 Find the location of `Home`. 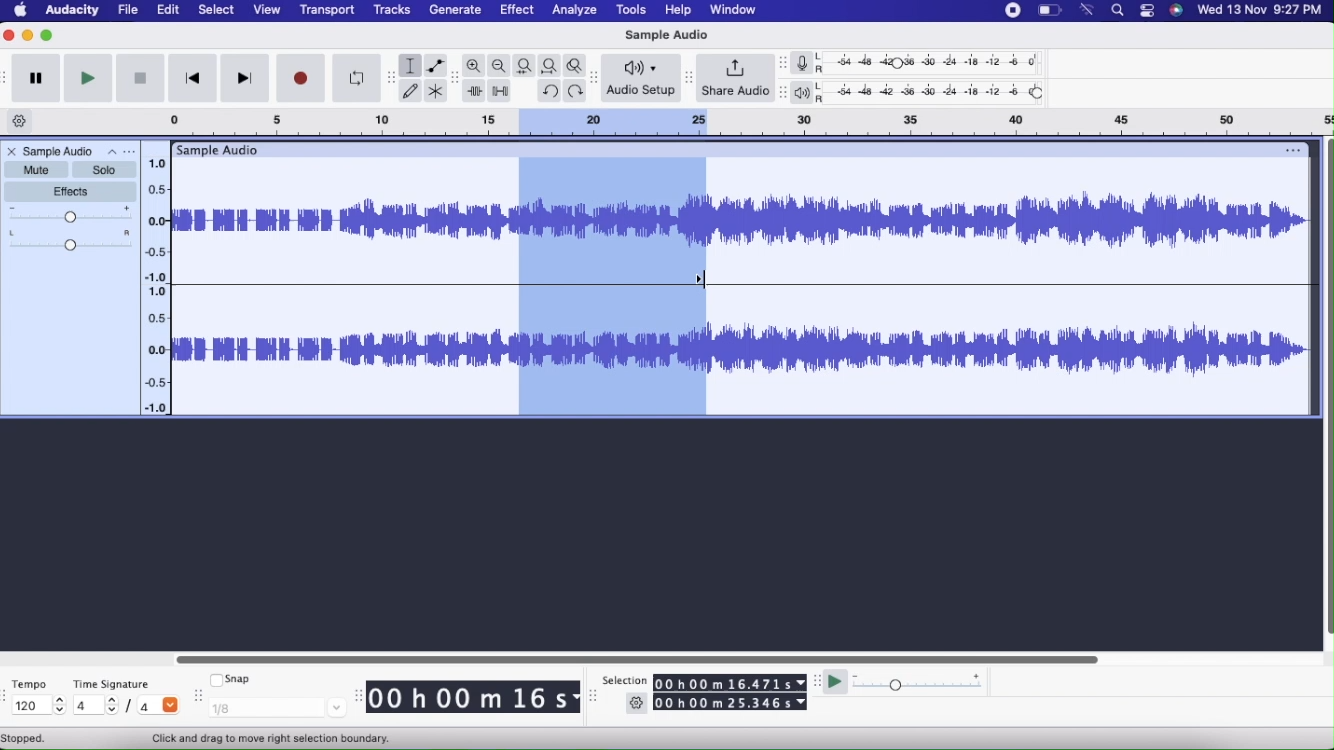

Home is located at coordinates (21, 9).